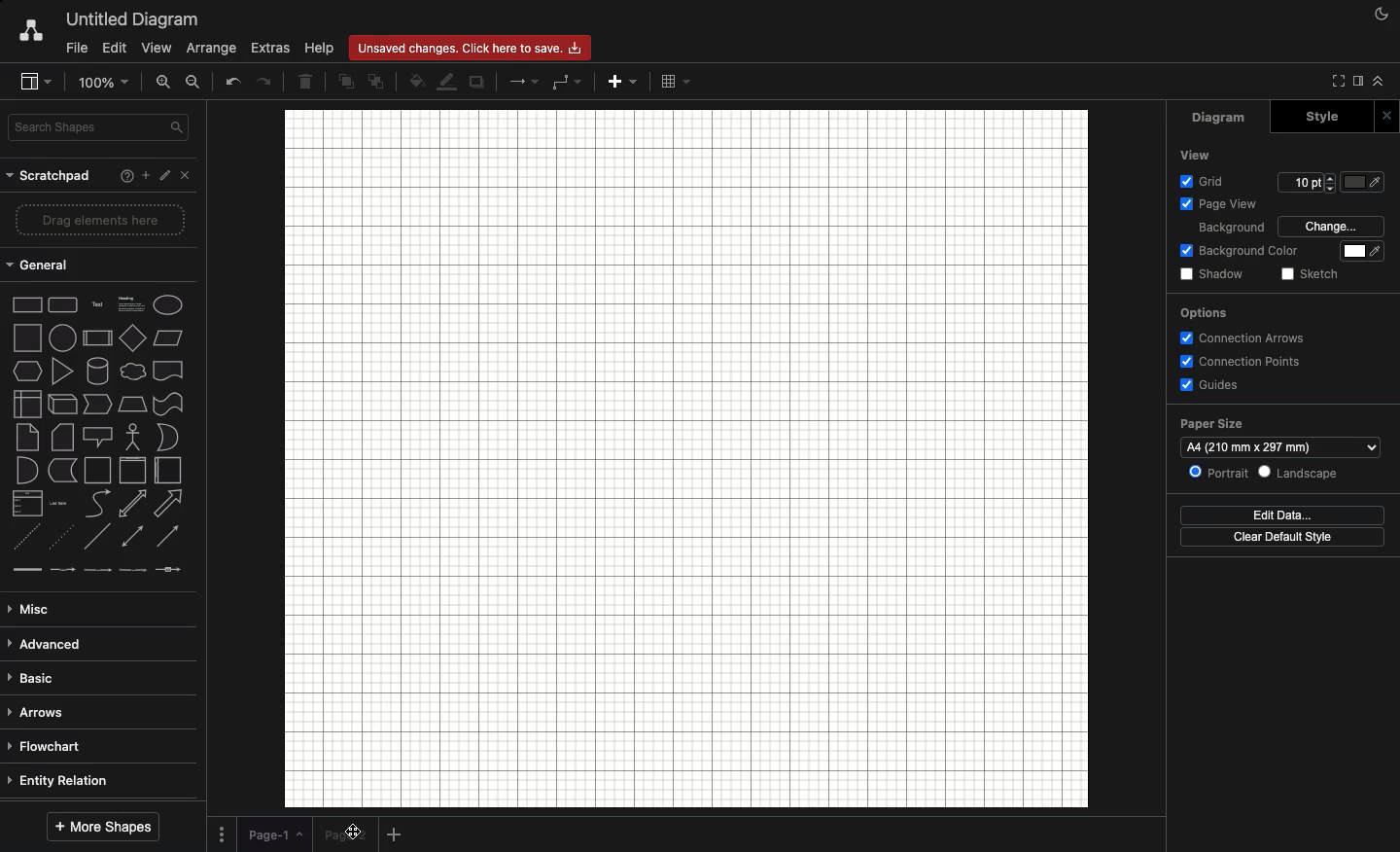 The image size is (1400, 852). I want to click on Page 1, so click(276, 835).